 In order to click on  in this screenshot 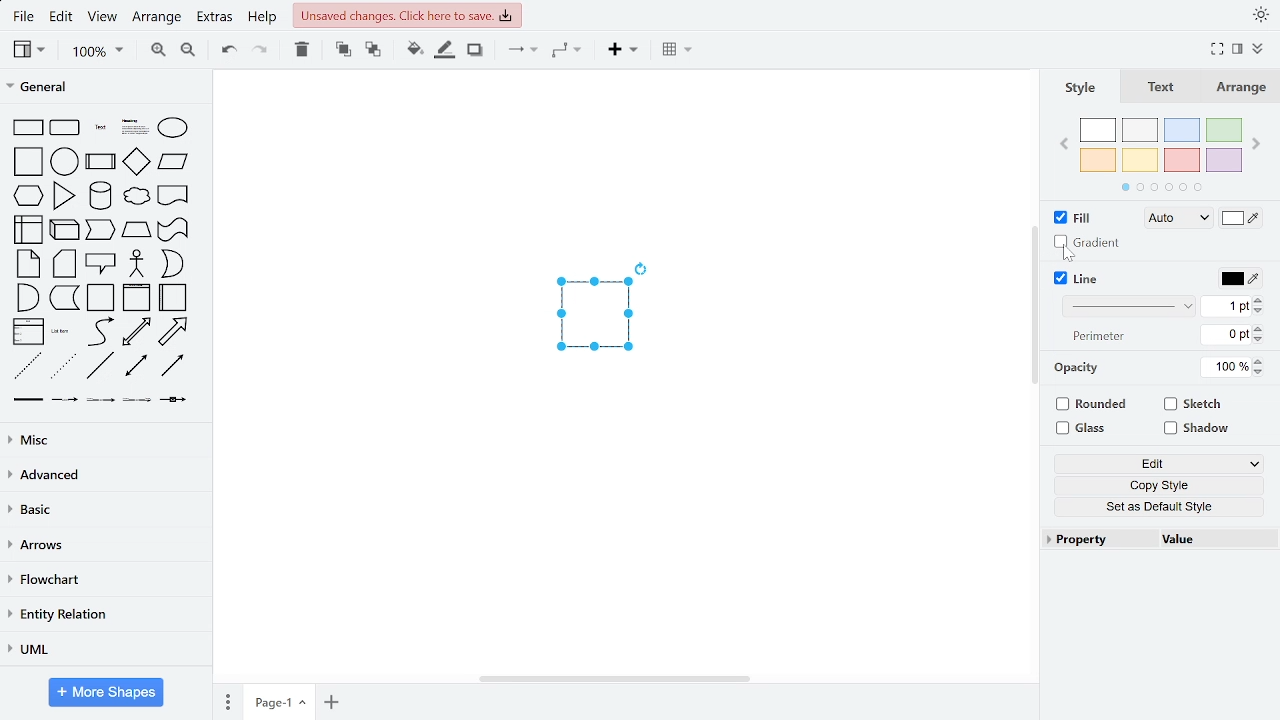, I will do `click(100, 400)`.